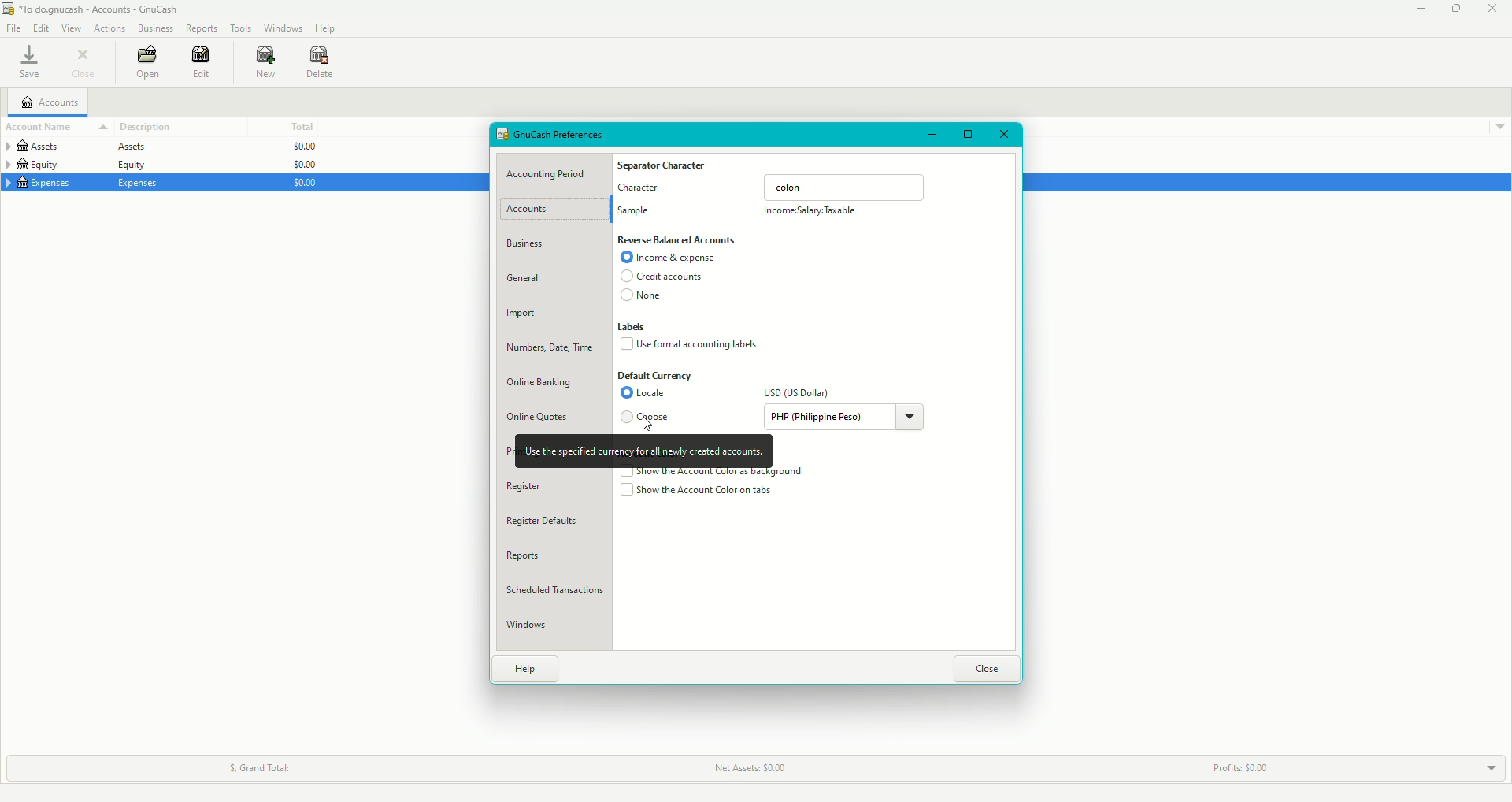 This screenshot has height=802, width=1512. What do you see at coordinates (531, 626) in the screenshot?
I see `Windows` at bounding box center [531, 626].